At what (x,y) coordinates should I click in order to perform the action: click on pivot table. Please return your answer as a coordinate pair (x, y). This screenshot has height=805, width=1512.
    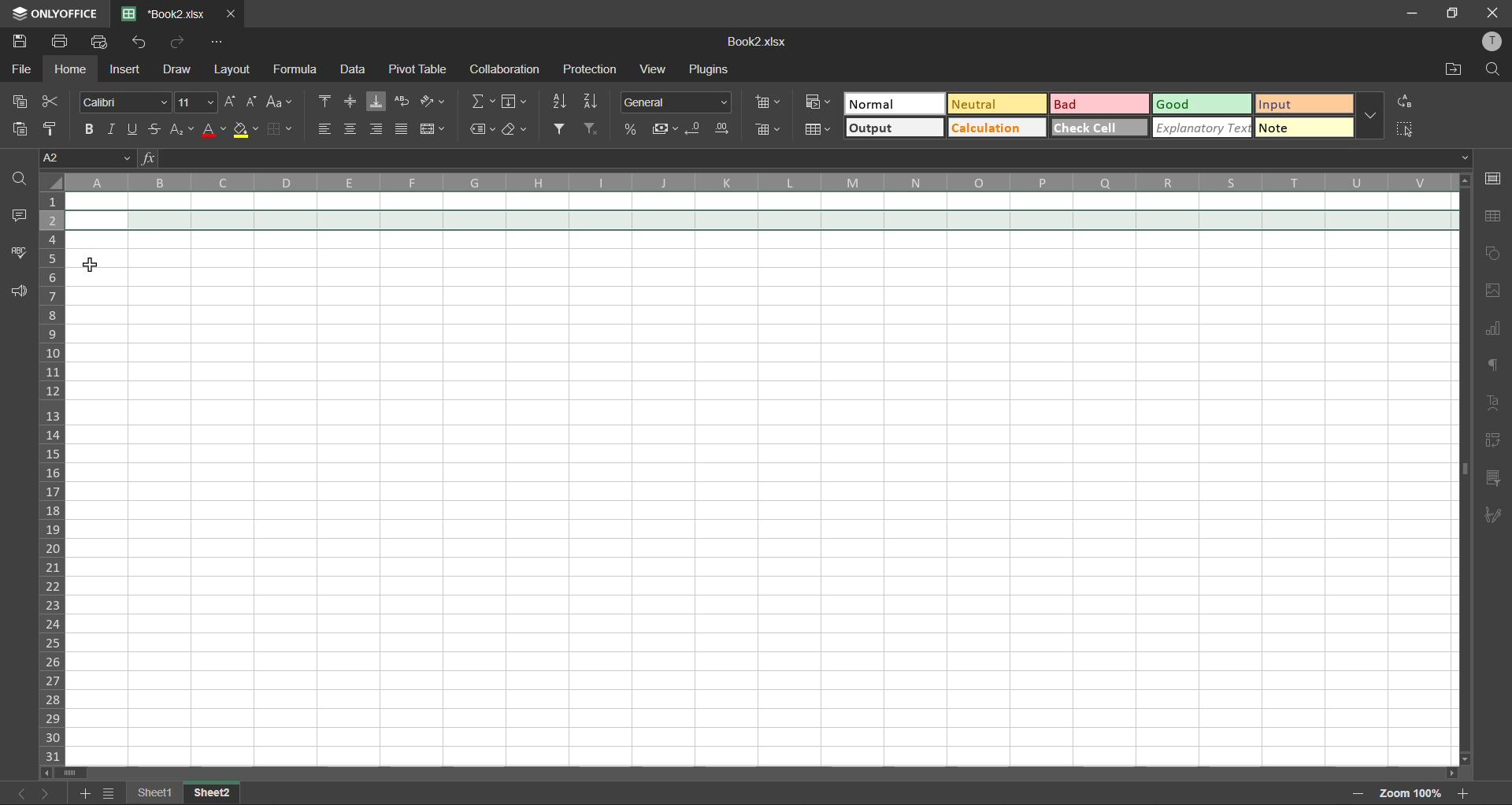
    Looking at the image, I should click on (417, 69).